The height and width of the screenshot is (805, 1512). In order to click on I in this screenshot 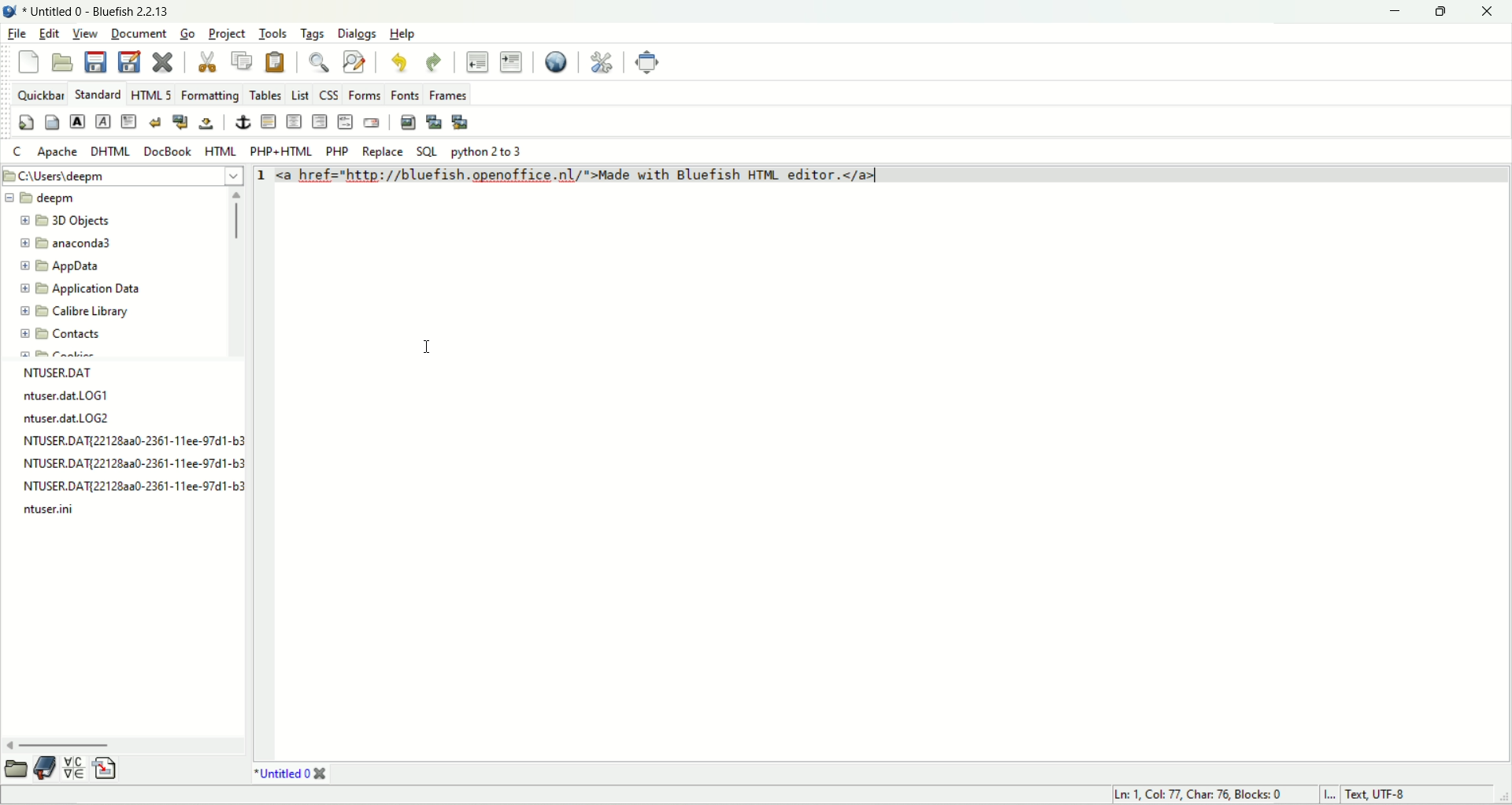, I will do `click(1327, 795)`.